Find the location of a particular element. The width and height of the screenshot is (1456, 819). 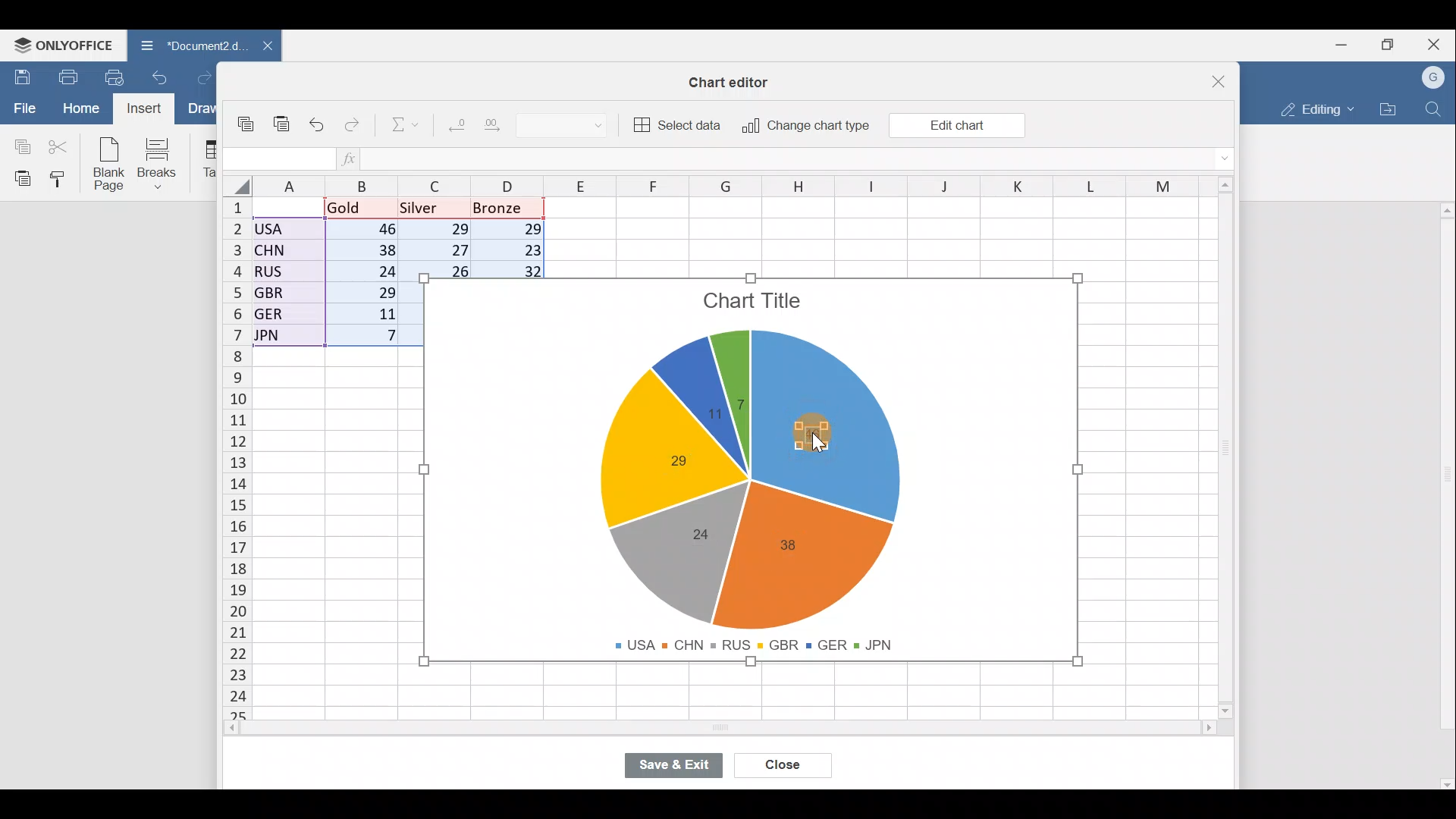

Chart label is located at coordinates (699, 532).